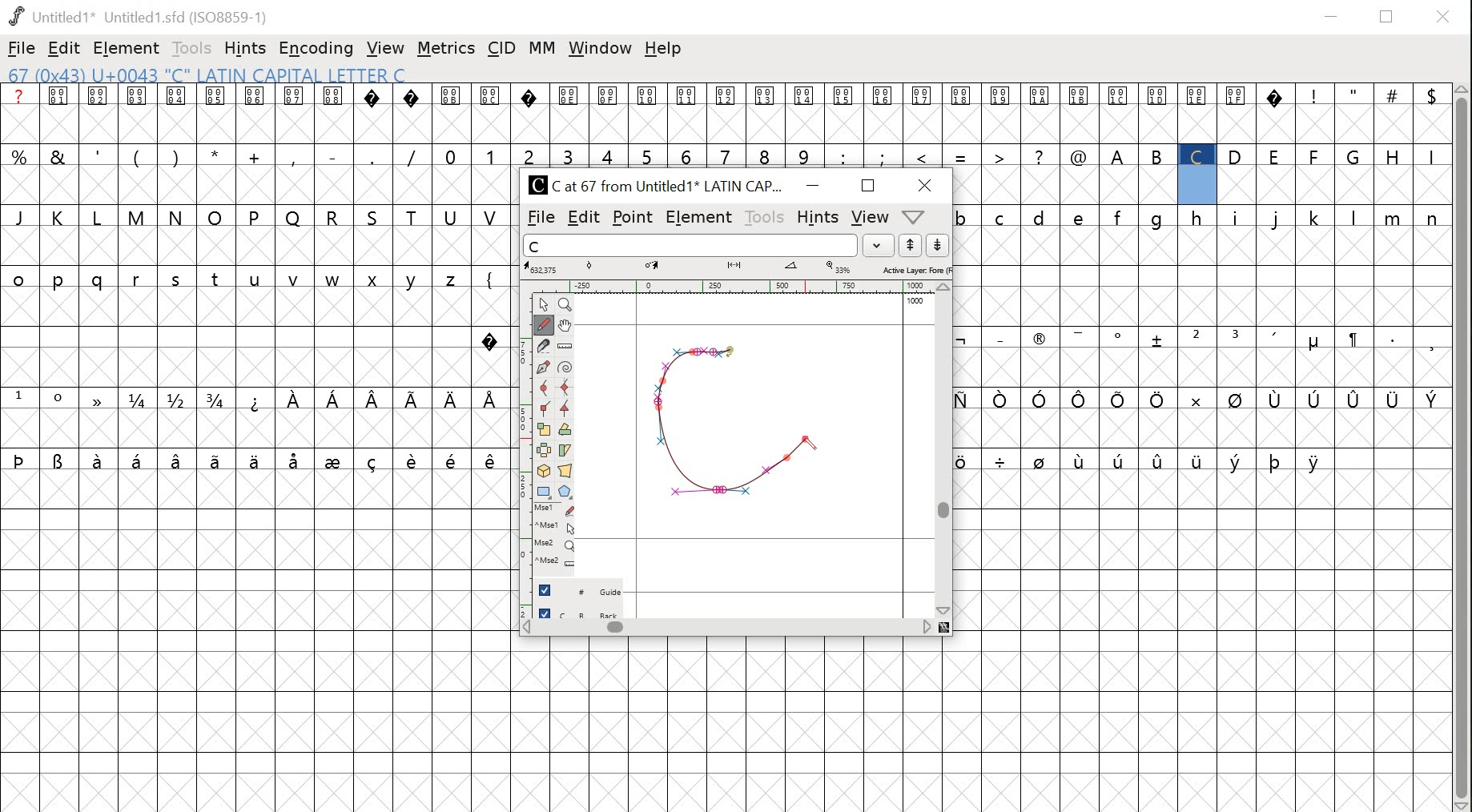  I want to click on knife, so click(546, 346).